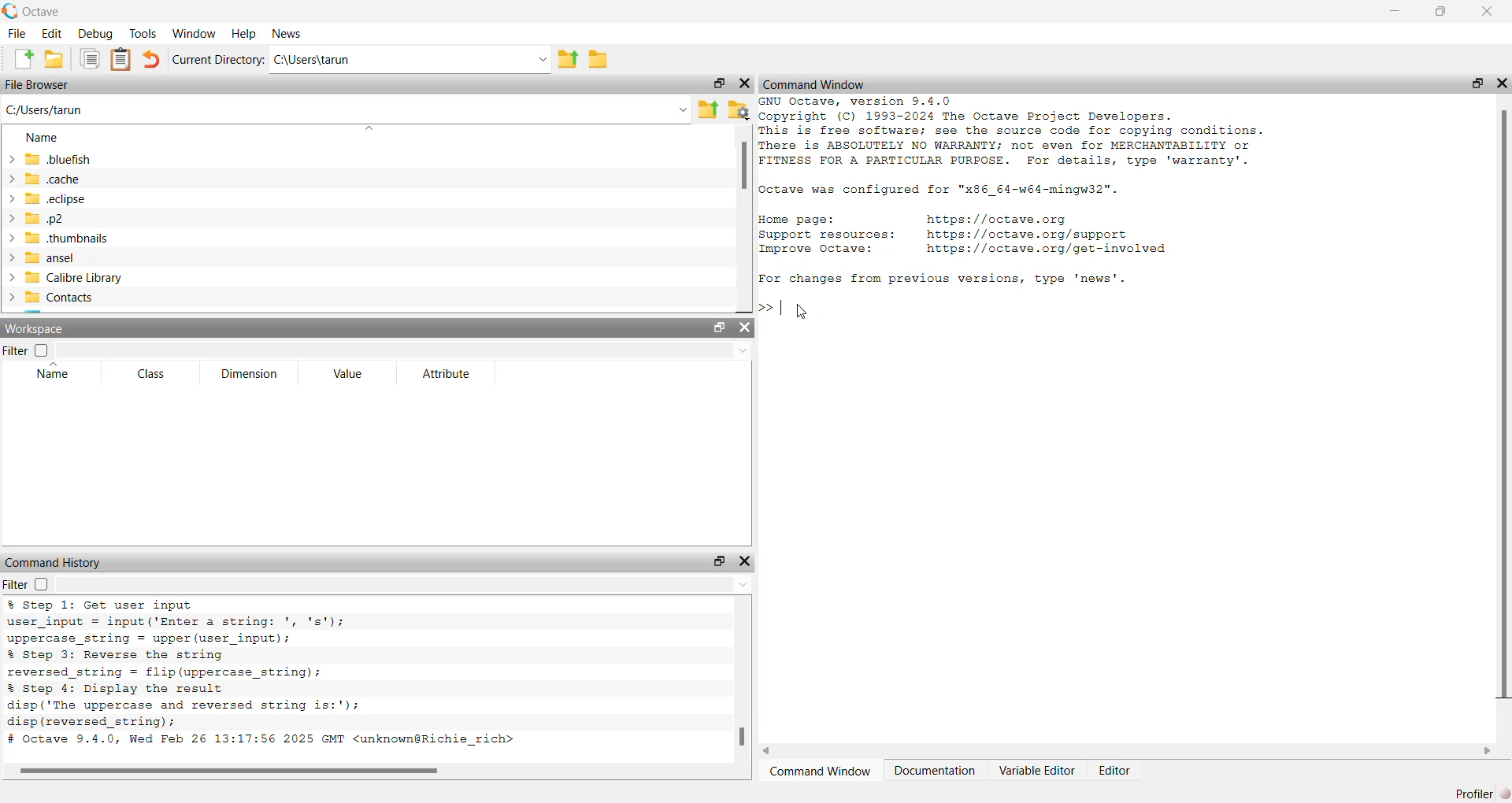  What do you see at coordinates (42, 137) in the screenshot?
I see `name` at bounding box center [42, 137].